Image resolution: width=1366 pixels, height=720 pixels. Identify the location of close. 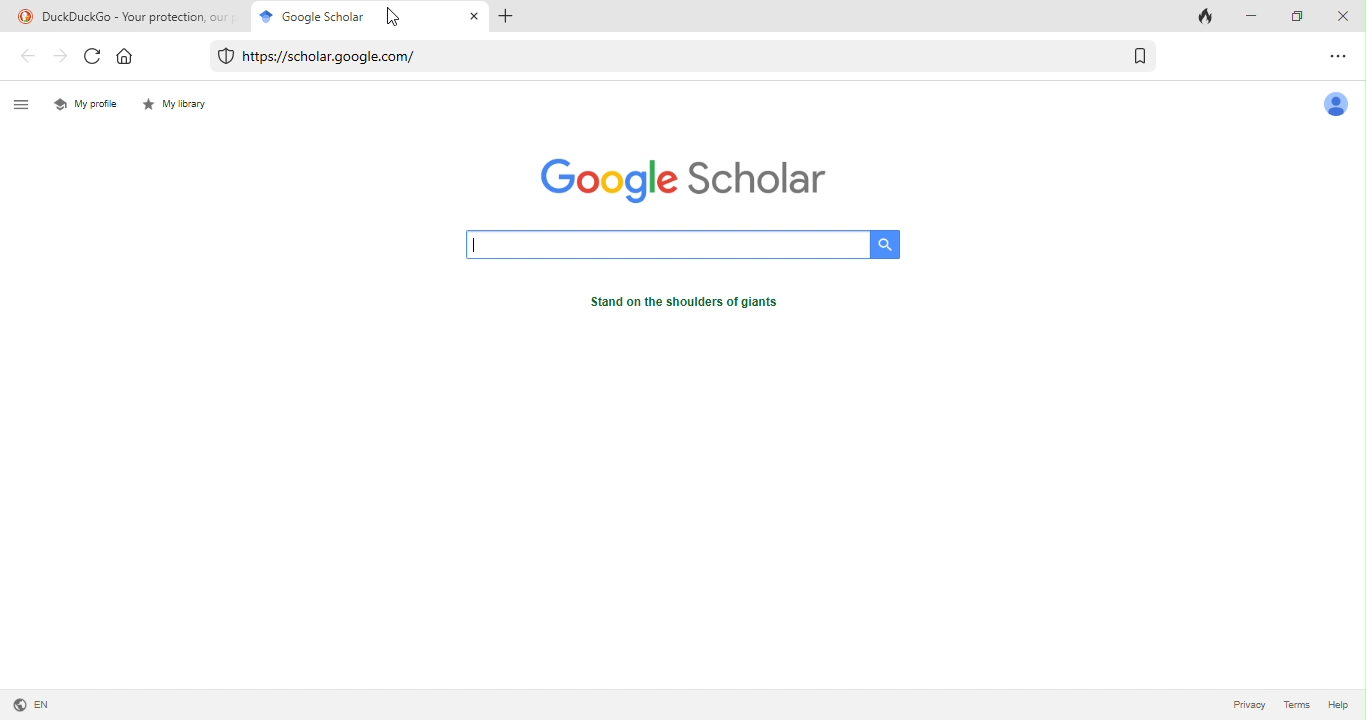
(473, 18).